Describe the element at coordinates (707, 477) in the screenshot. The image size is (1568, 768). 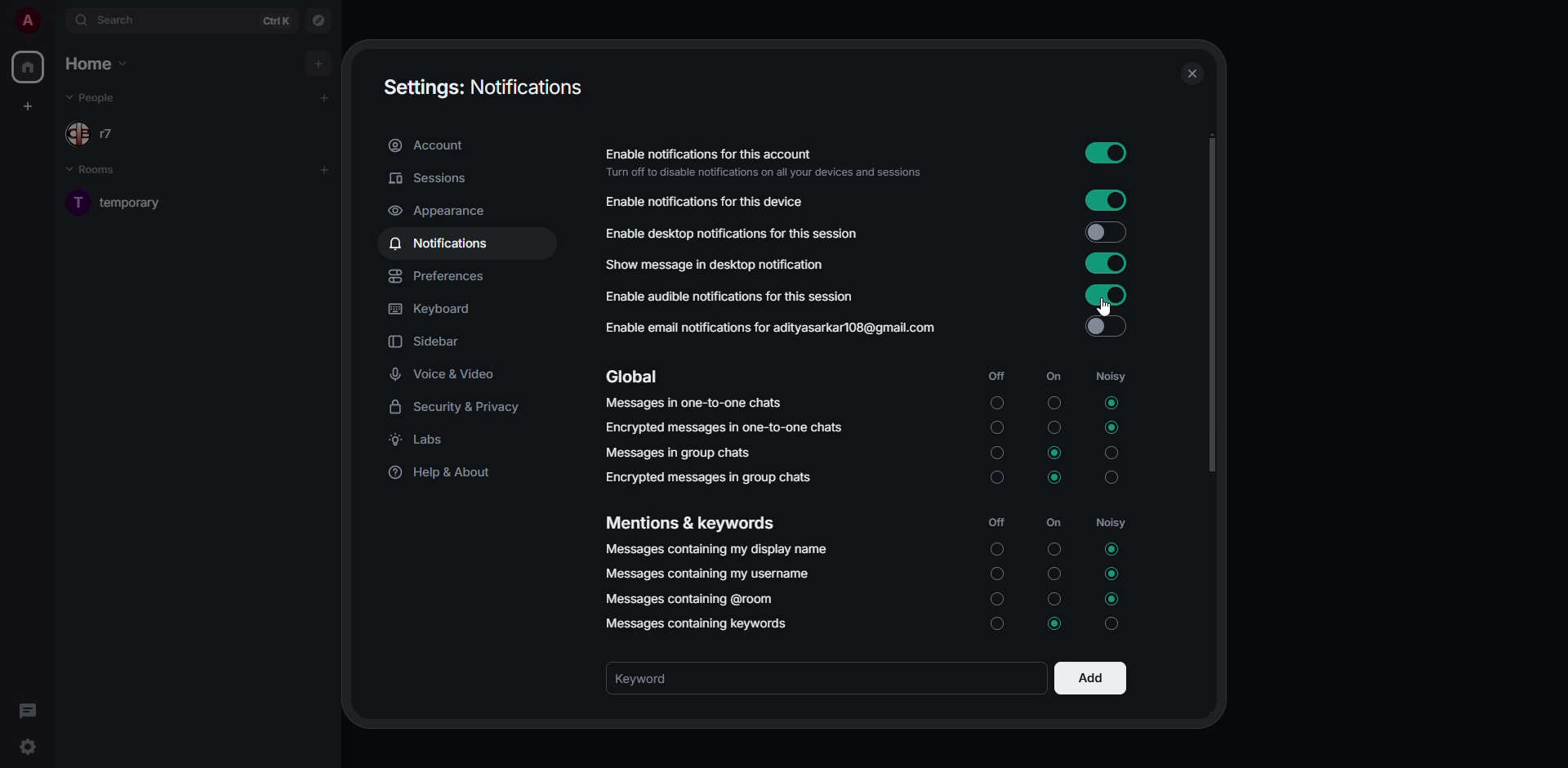
I see `encrypted messages in group chat` at that location.